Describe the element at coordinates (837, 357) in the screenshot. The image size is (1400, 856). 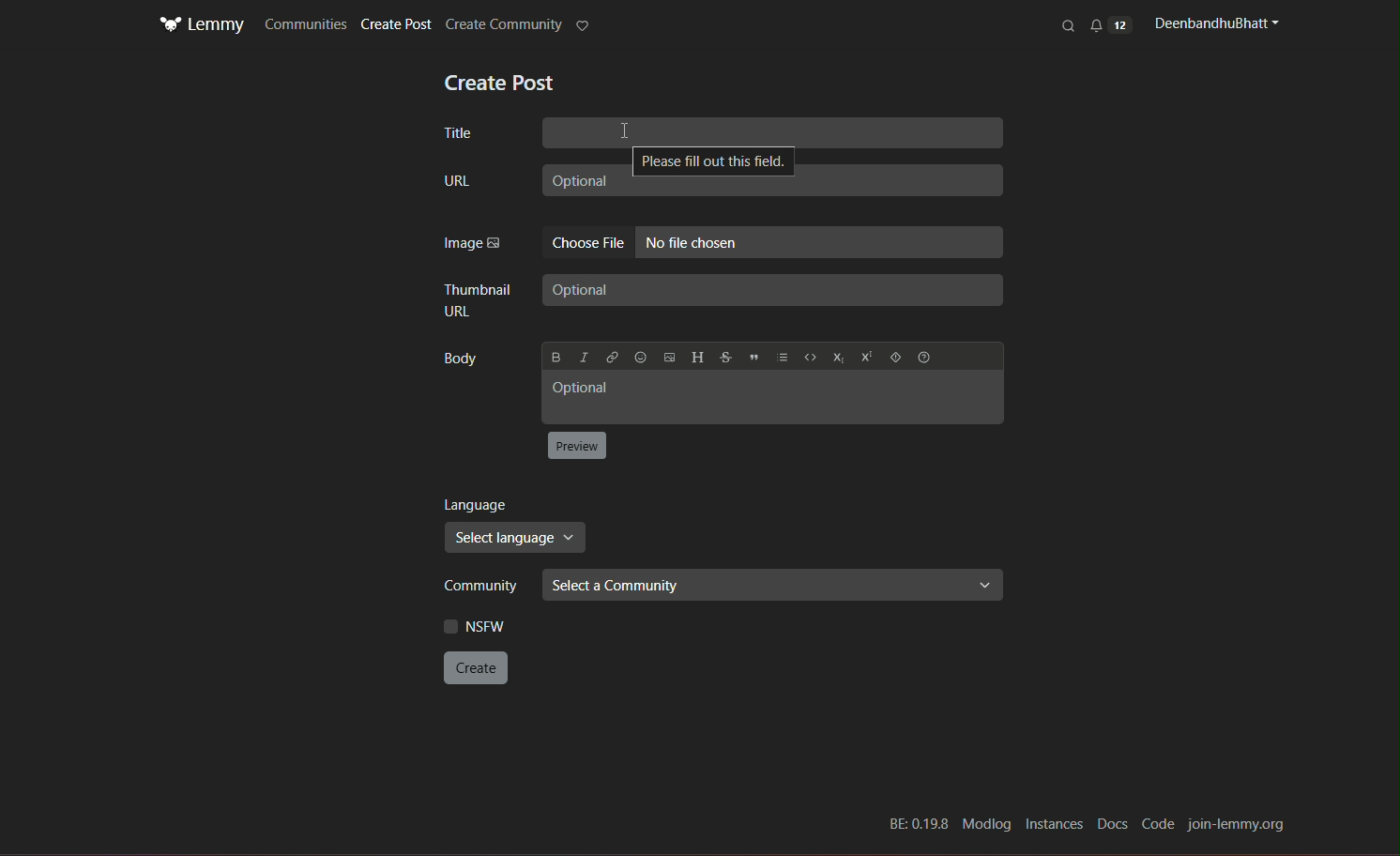
I see `subscript` at that location.